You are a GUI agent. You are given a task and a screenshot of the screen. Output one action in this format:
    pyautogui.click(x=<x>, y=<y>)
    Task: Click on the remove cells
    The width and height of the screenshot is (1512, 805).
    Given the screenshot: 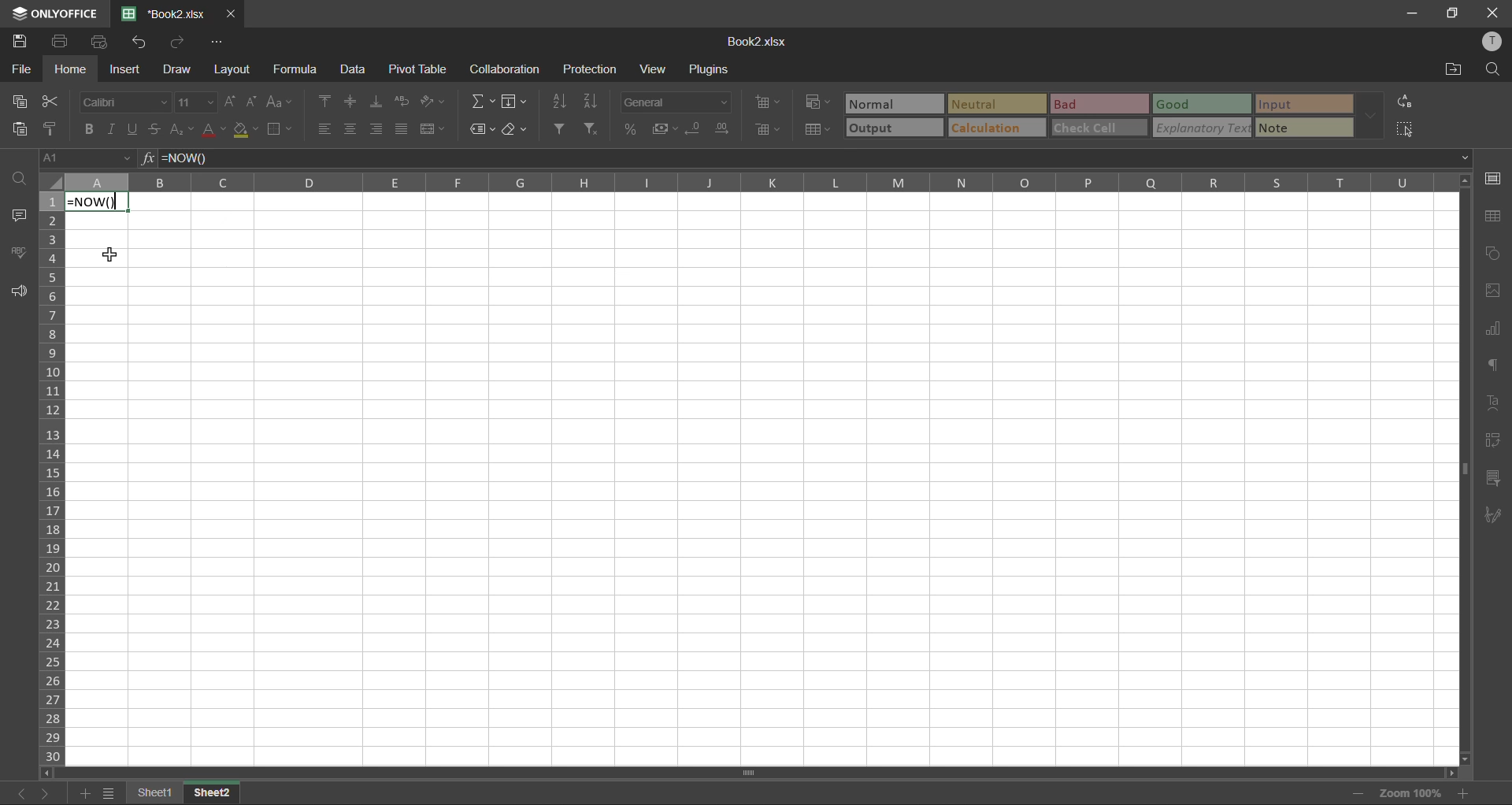 What is the action you would take?
    pyautogui.click(x=773, y=131)
    